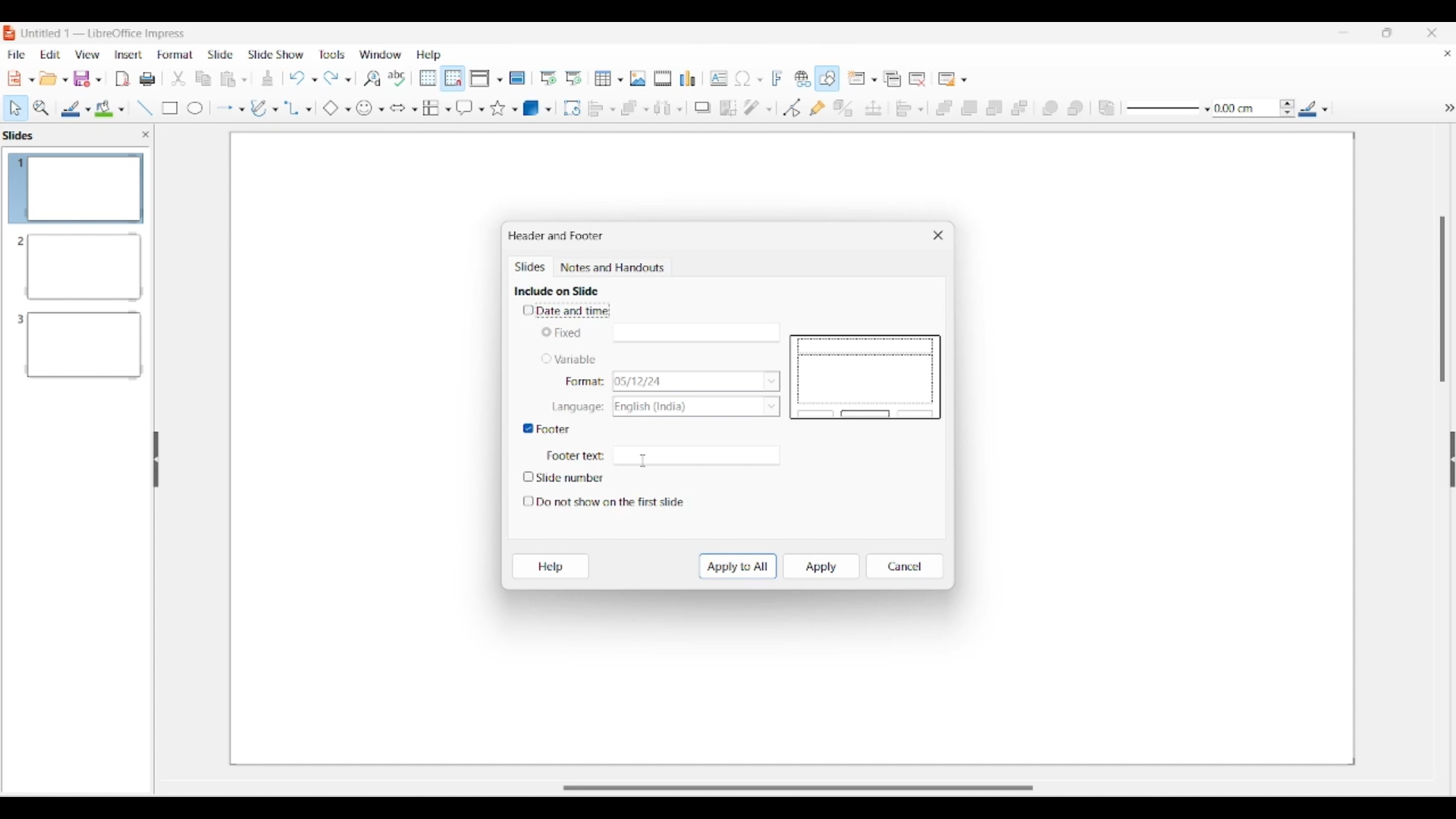 The height and width of the screenshot is (819, 1456). I want to click on Insert audio/video, so click(663, 78).